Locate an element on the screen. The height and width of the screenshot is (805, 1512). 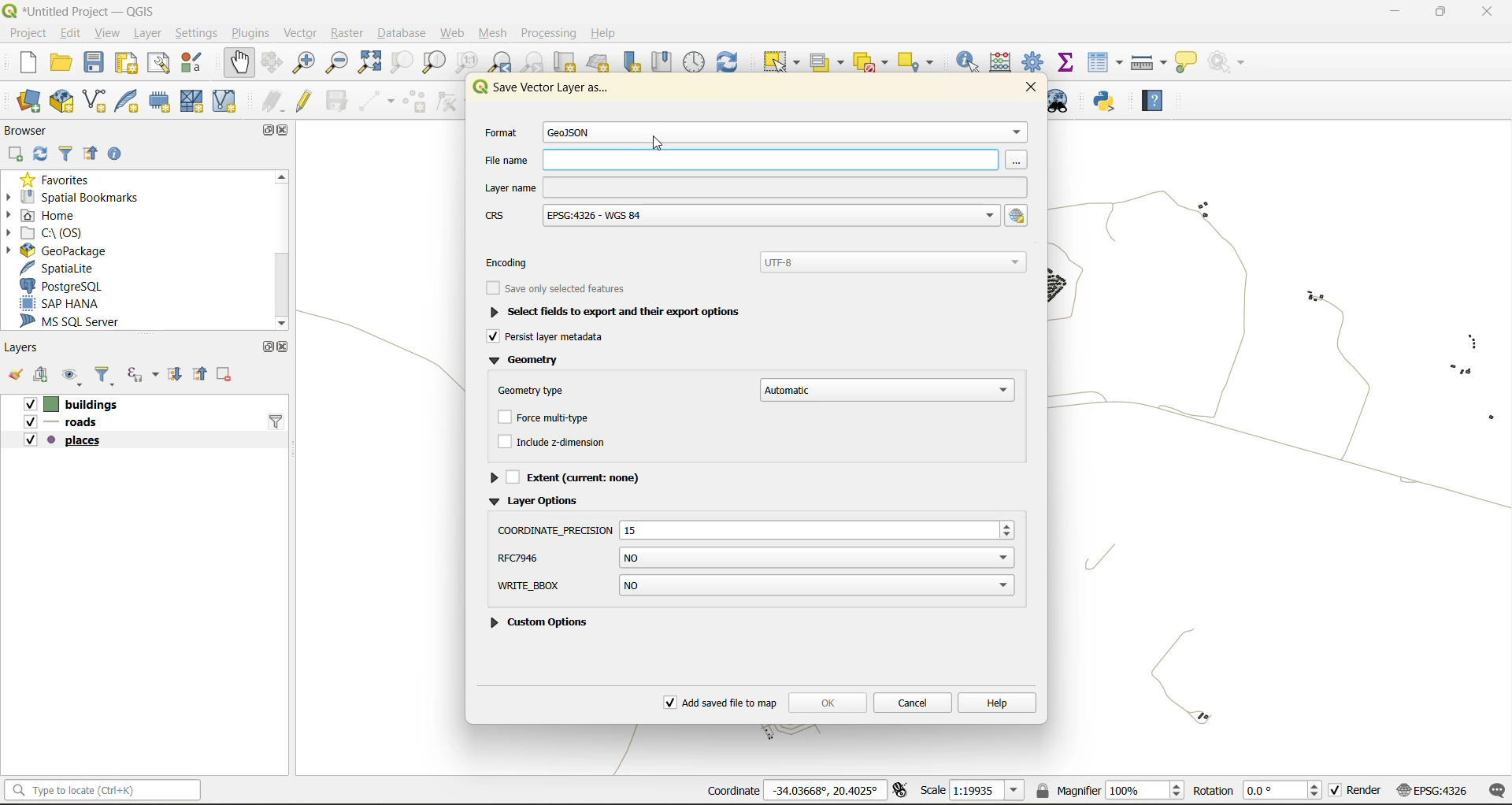
statusbar is located at coordinates (107, 789).